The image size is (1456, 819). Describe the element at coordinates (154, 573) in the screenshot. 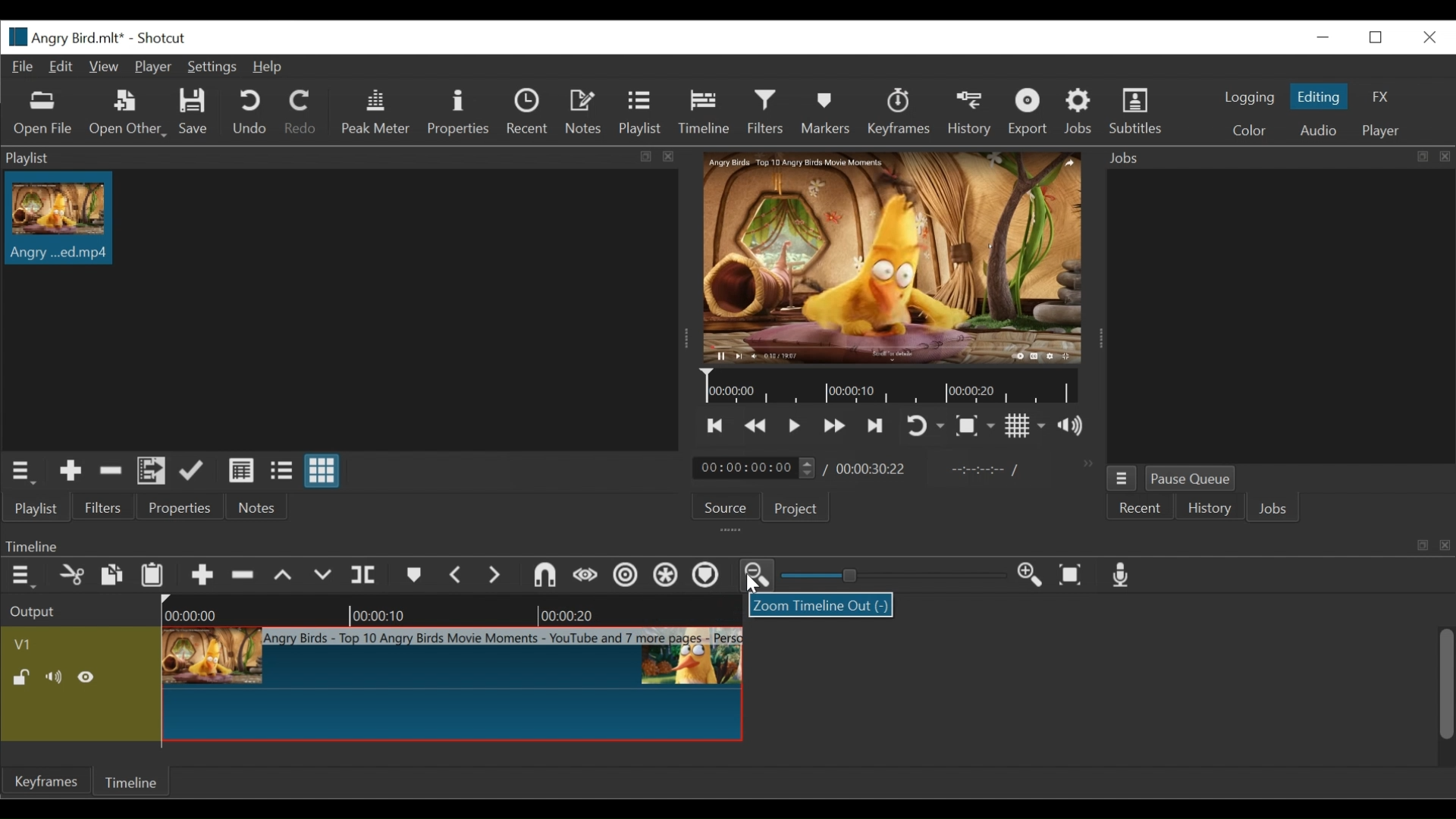

I see `Paste` at that location.